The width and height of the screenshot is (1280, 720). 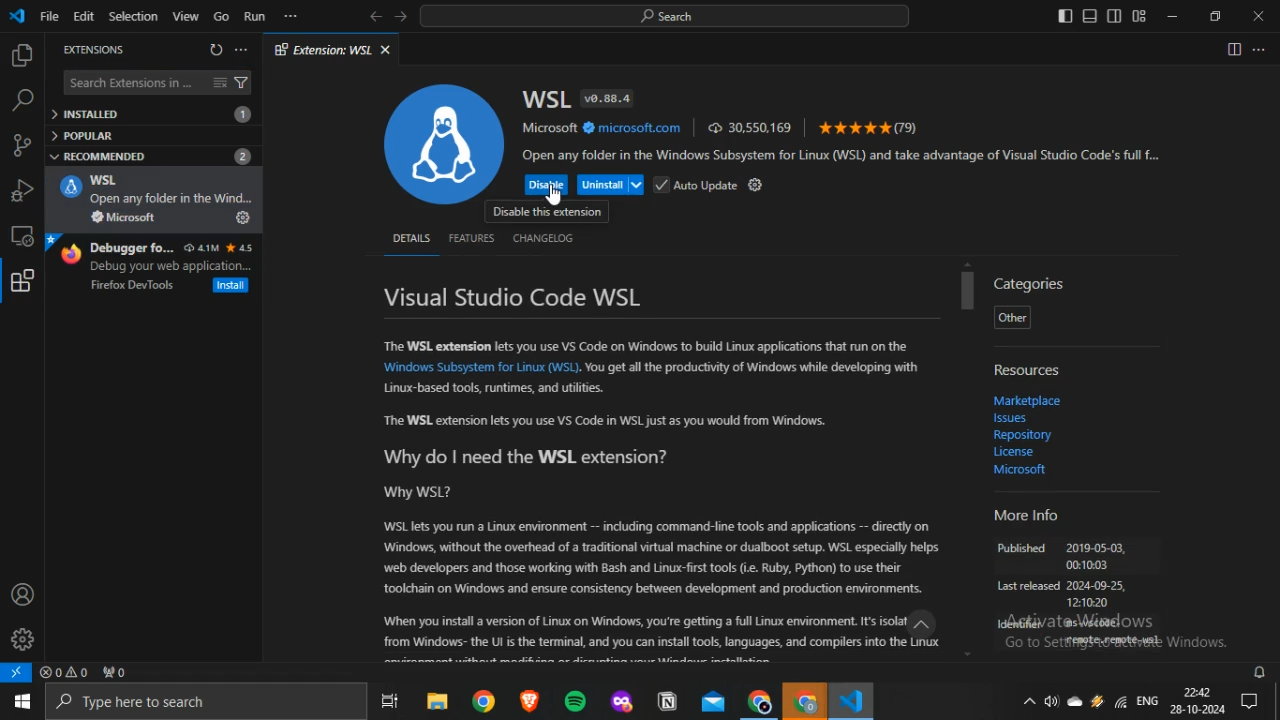 What do you see at coordinates (104, 180) in the screenshot?
I see `WSL` at bounding box center [104, 180].